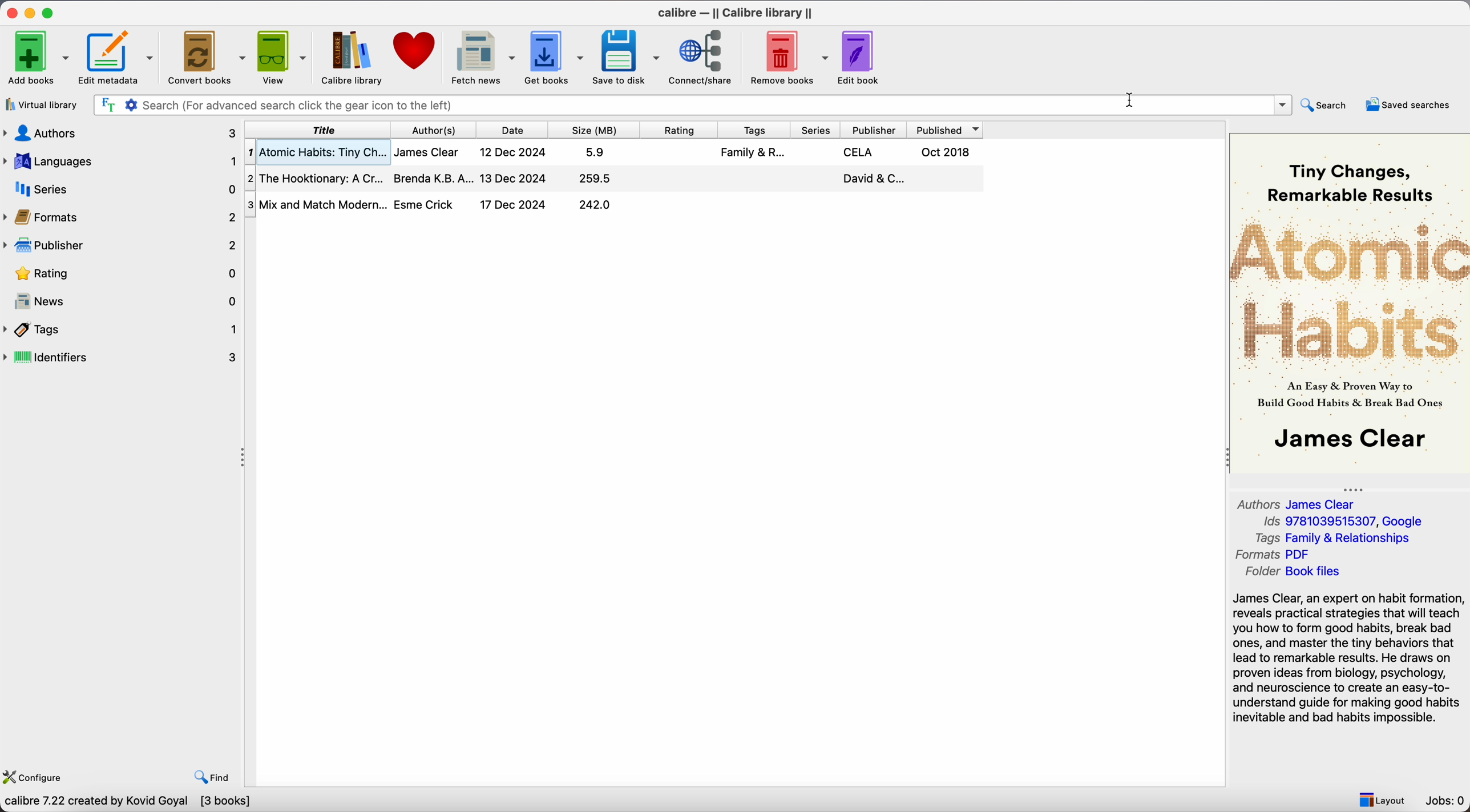 The width and height of the screenshot is (1470, 812). What do you see at coordinates (120, 189) in the screenshot?
I see `series` at bounding box center [120, 189].